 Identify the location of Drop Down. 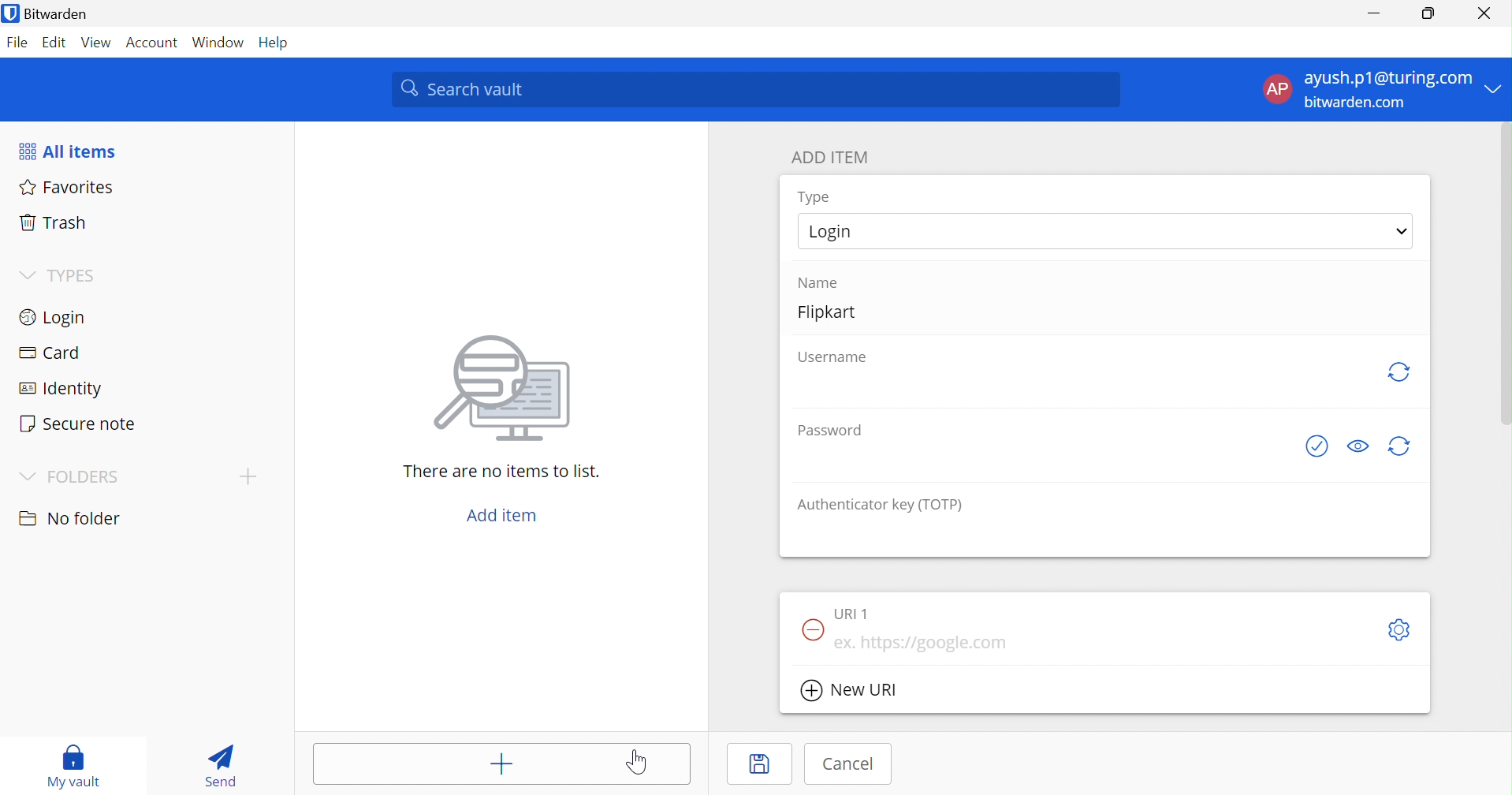
(25, 273).